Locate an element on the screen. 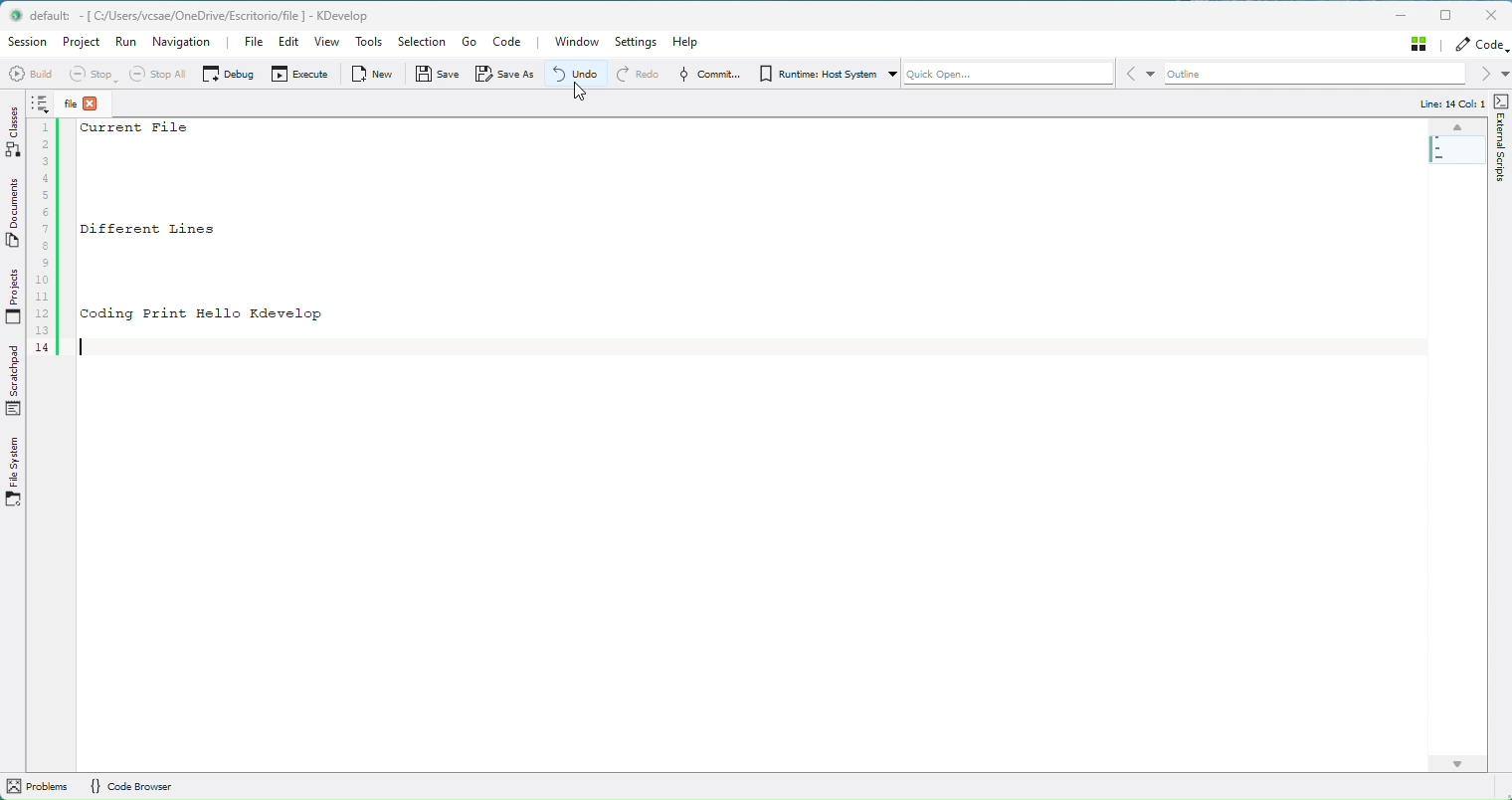  Execute is located at coordinates (297, 78).